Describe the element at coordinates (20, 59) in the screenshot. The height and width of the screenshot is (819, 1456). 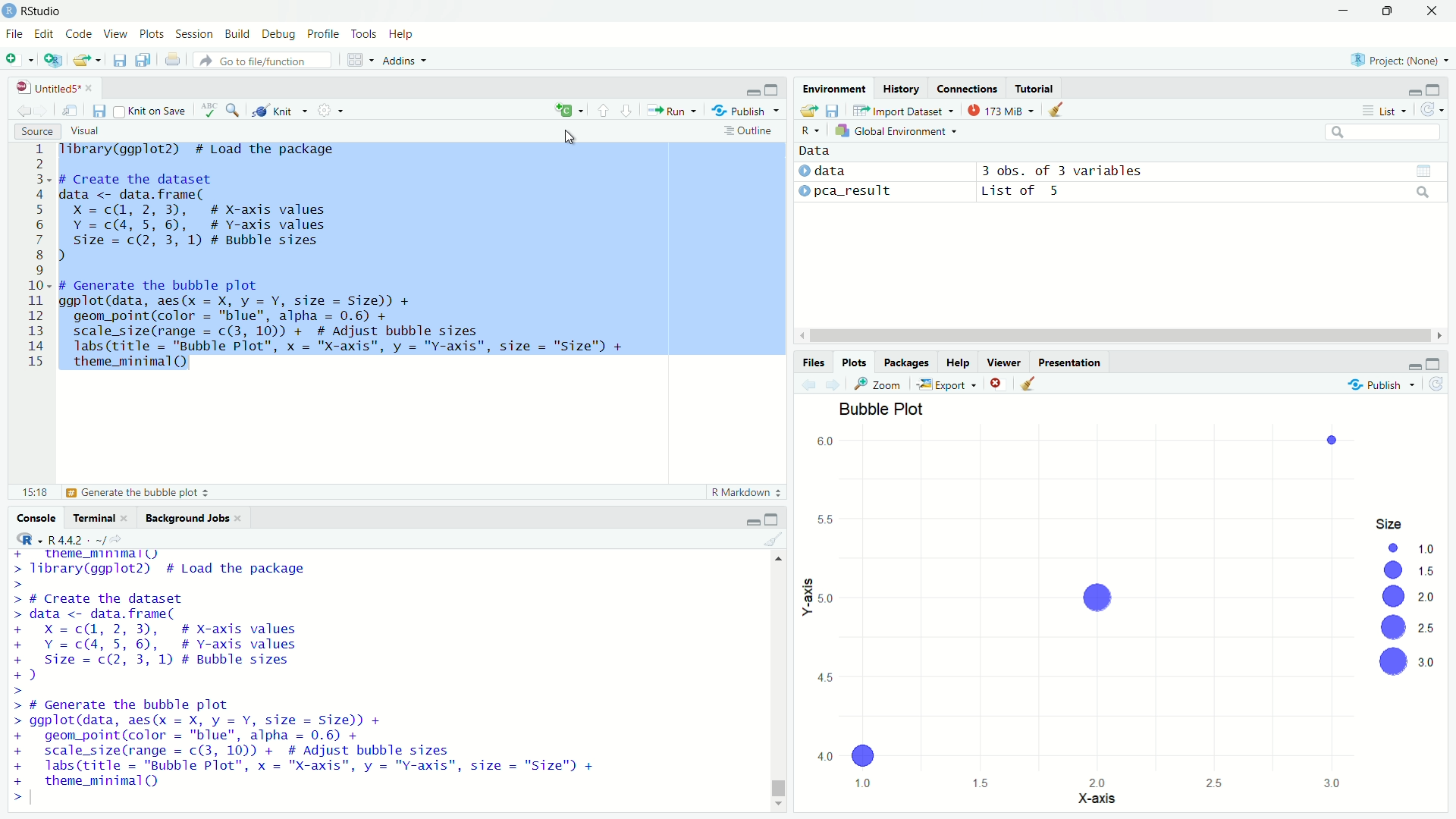
I see `new file` at that location.